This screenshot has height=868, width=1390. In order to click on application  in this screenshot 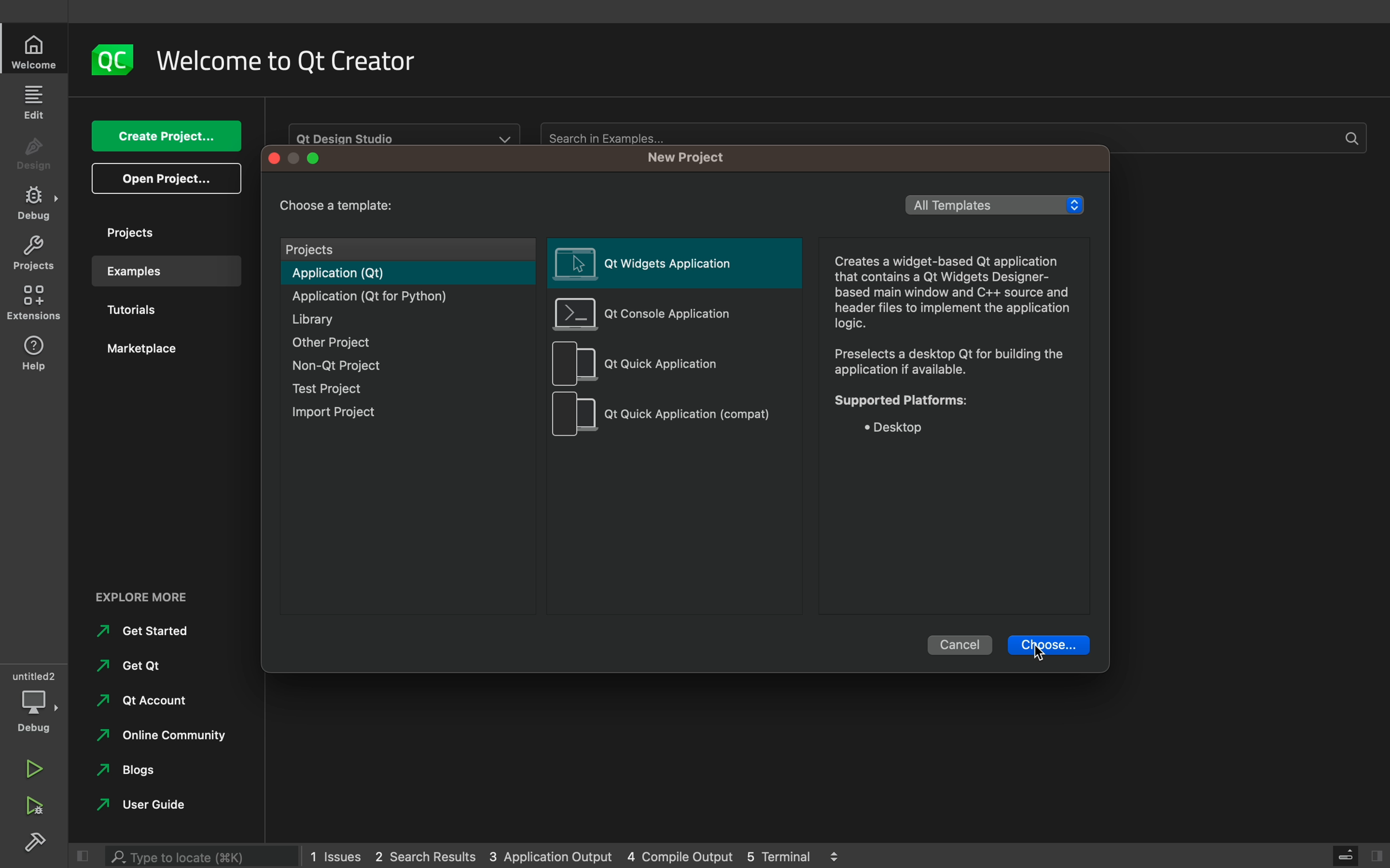, I will do `click(407, 296)`.